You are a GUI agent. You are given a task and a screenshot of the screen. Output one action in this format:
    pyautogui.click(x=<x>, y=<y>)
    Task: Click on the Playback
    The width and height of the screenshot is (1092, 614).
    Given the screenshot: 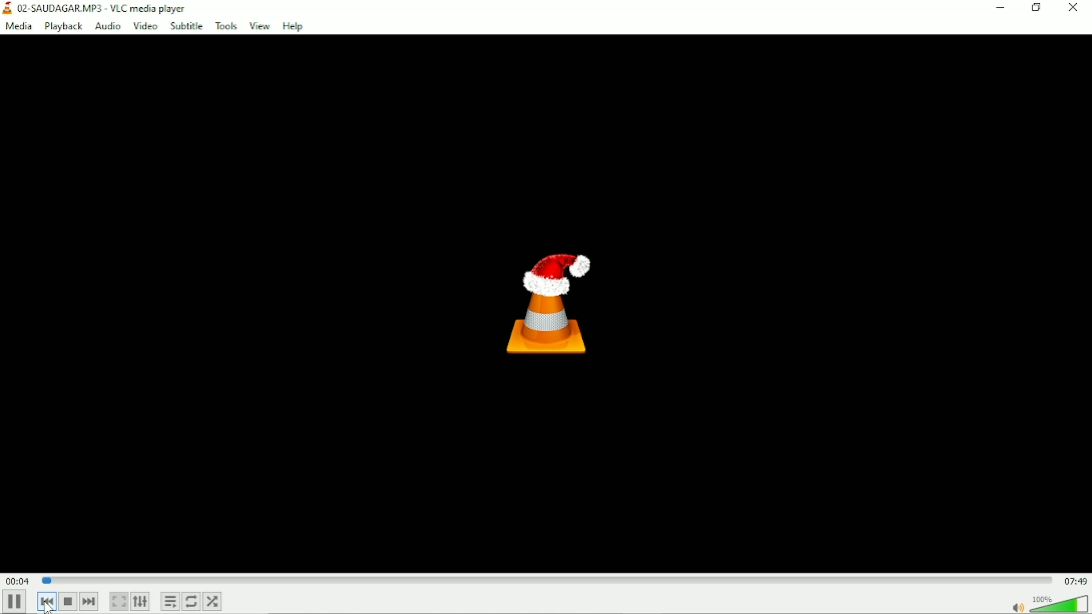 What is the action you would take?
    pyautogui.click(x=62, y=27)
    